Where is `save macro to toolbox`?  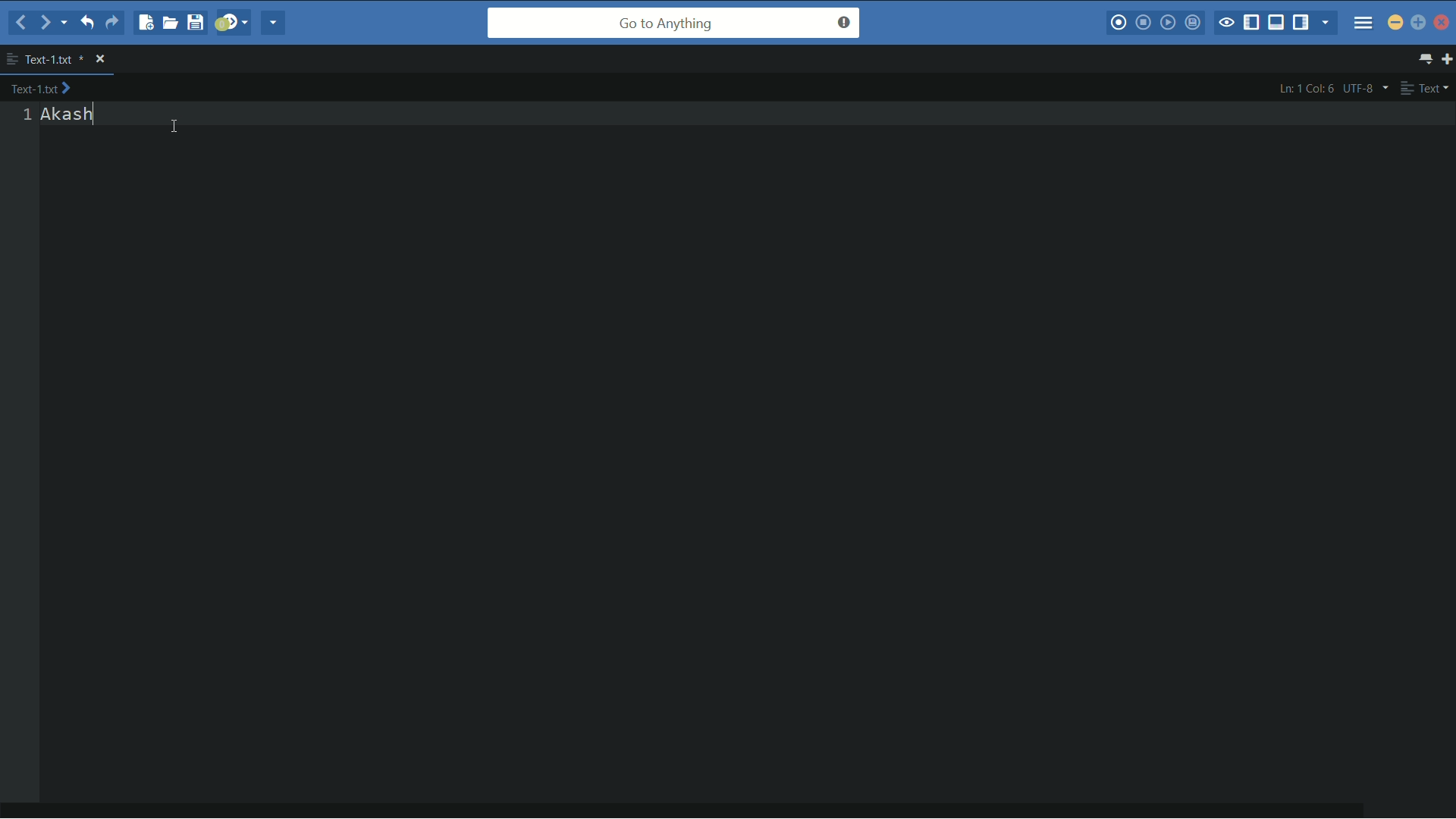
save macro to toolbox is located at coordinates (1192, 20).